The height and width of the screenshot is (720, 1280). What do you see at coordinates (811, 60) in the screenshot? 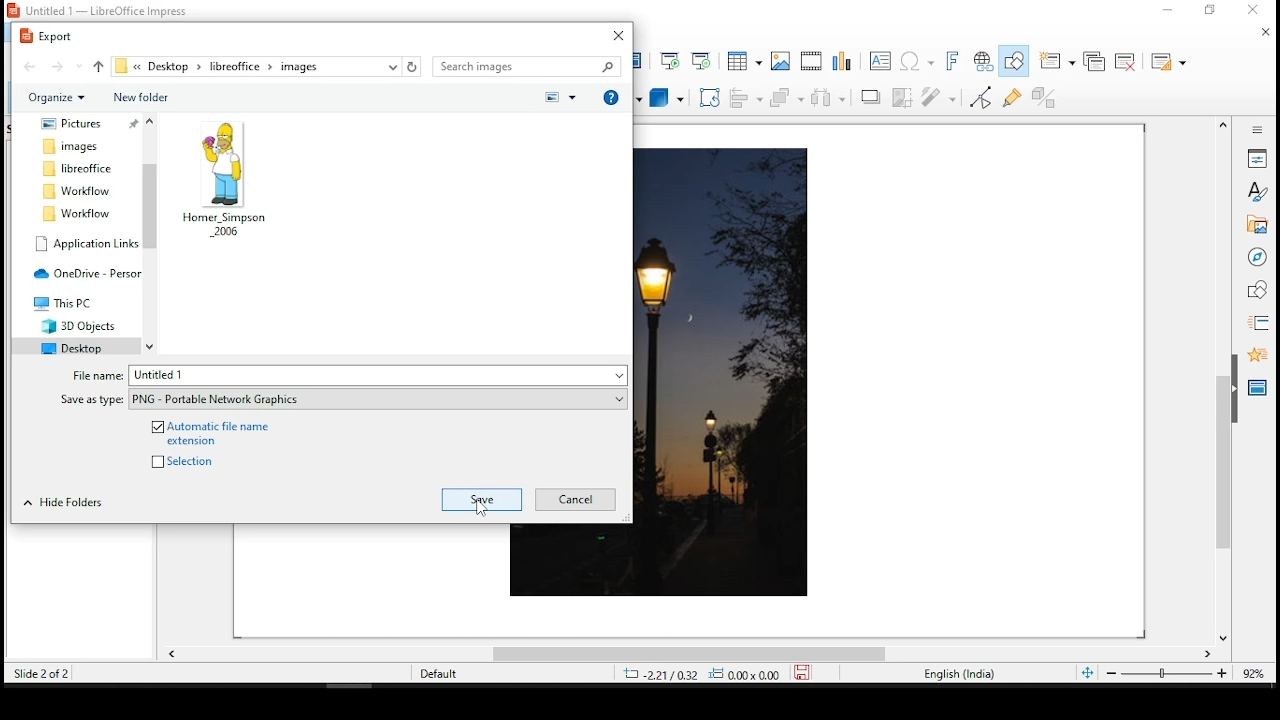
I see `insert audio and video` at bounding box center [811, 60].